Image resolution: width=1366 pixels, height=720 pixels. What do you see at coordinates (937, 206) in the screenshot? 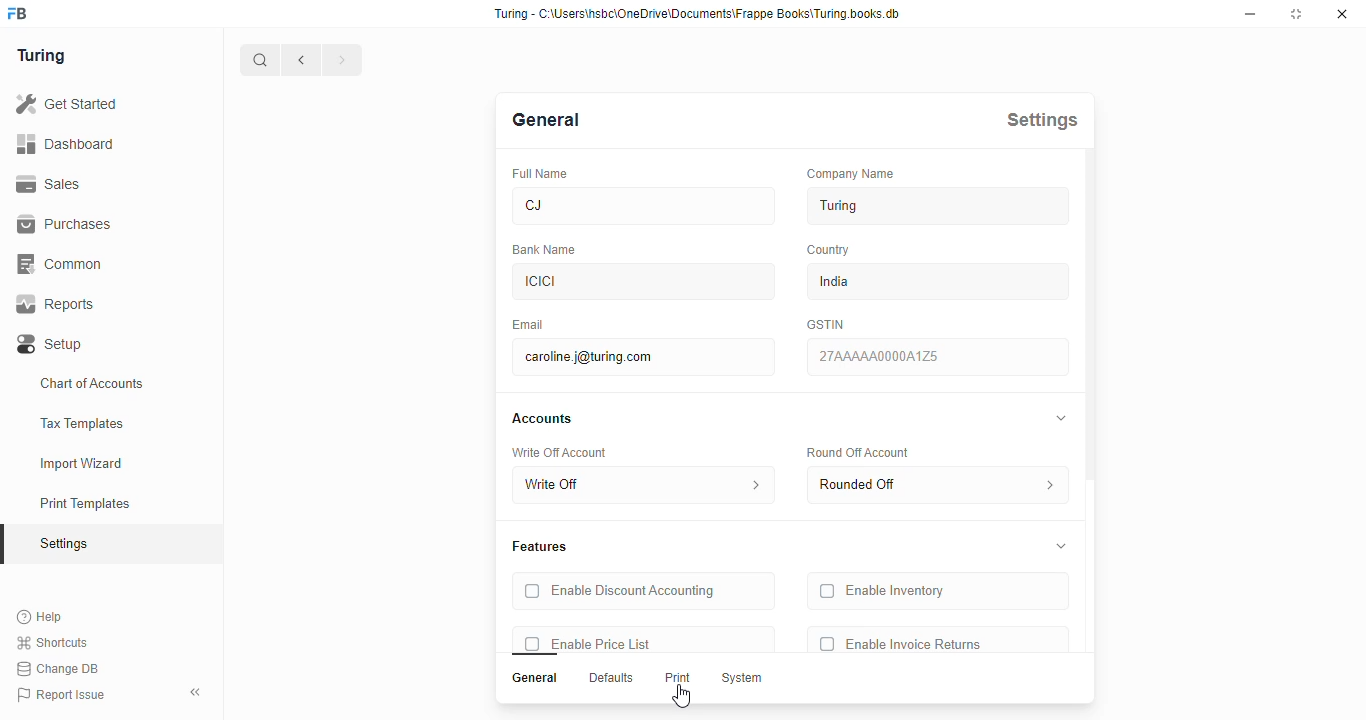
I see `Turing` at bounding box center [937, 206].